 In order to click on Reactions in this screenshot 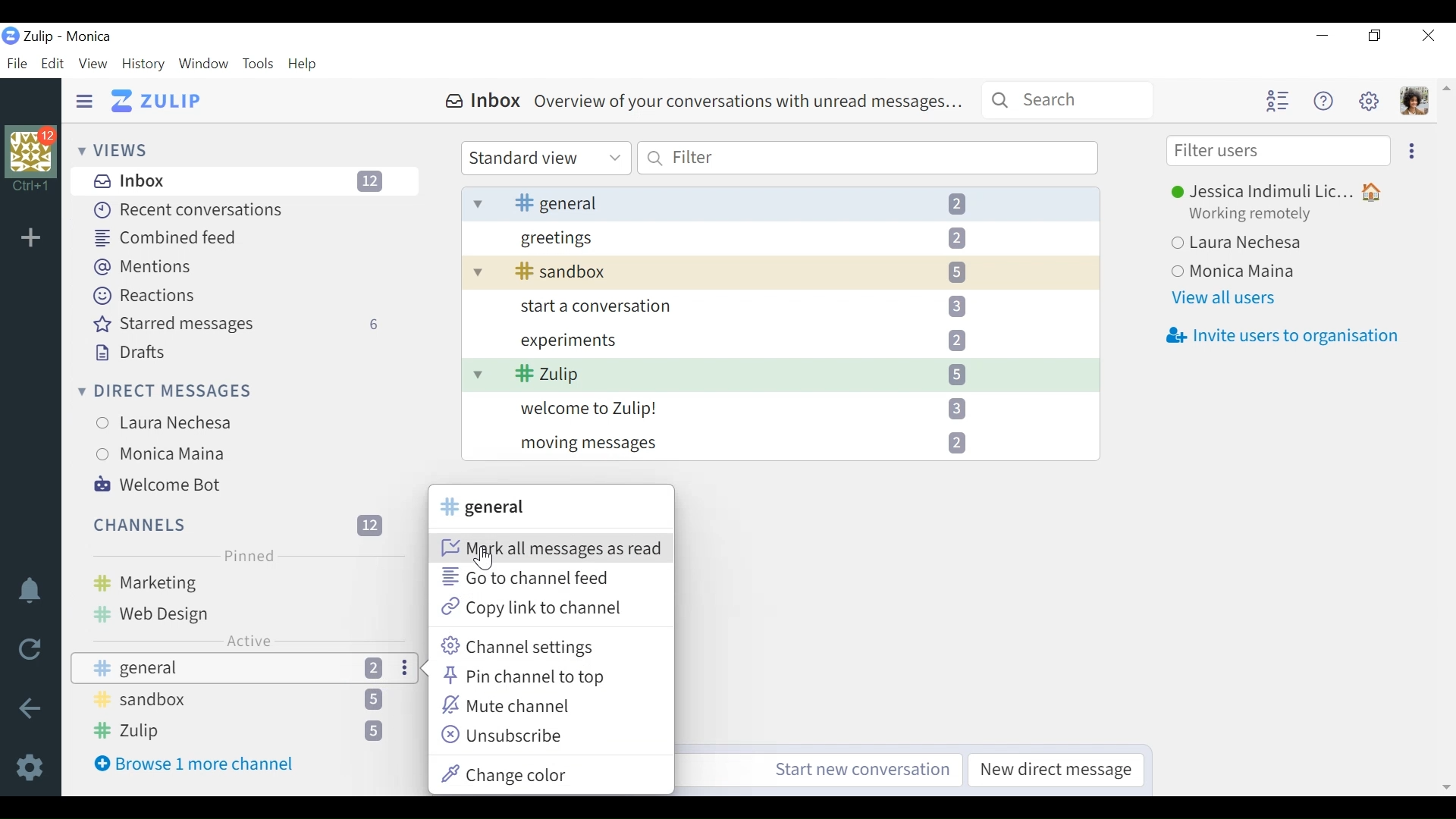, I will do `click(147, 296)`.